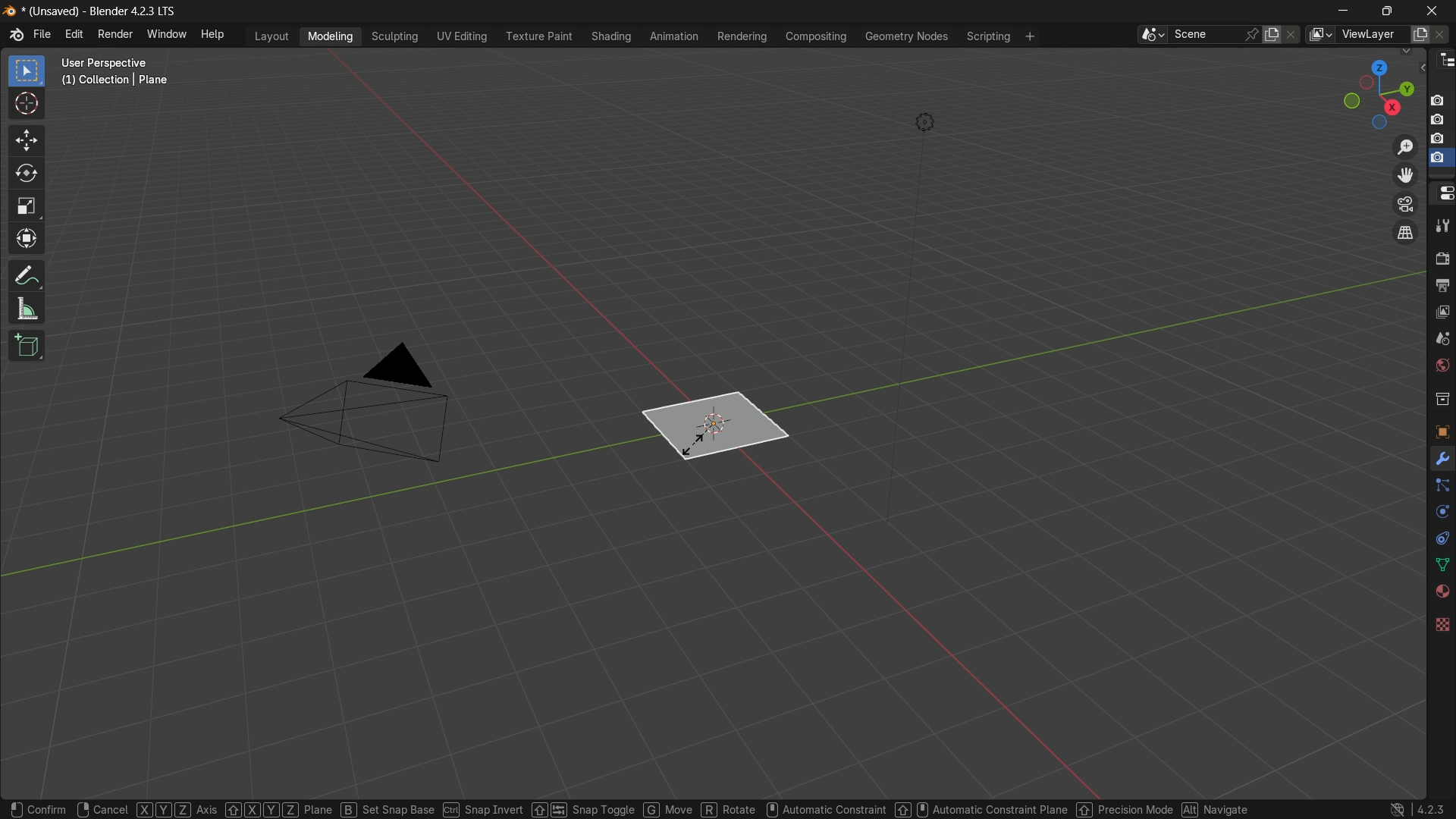 Image resolution: width=1456 pixels, height=819 pixels. I want to click on geometry nodes, so click(906, 37).